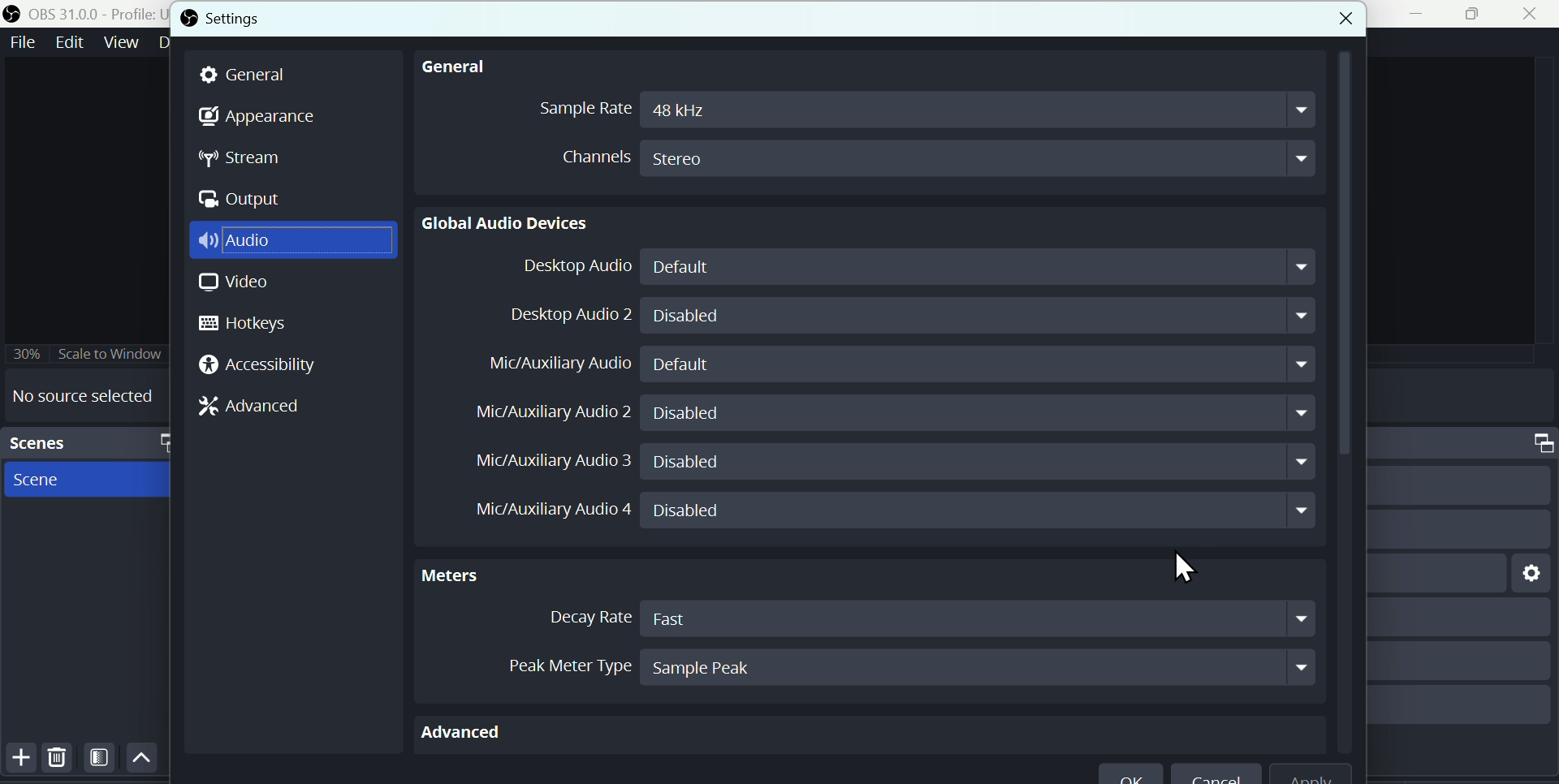 Image resolution: width=1559 pixels, height=784 pixels. What do you see at coordinates (26, 351) in the screenshot?
I see `30%` at bounding box center [26, 351].